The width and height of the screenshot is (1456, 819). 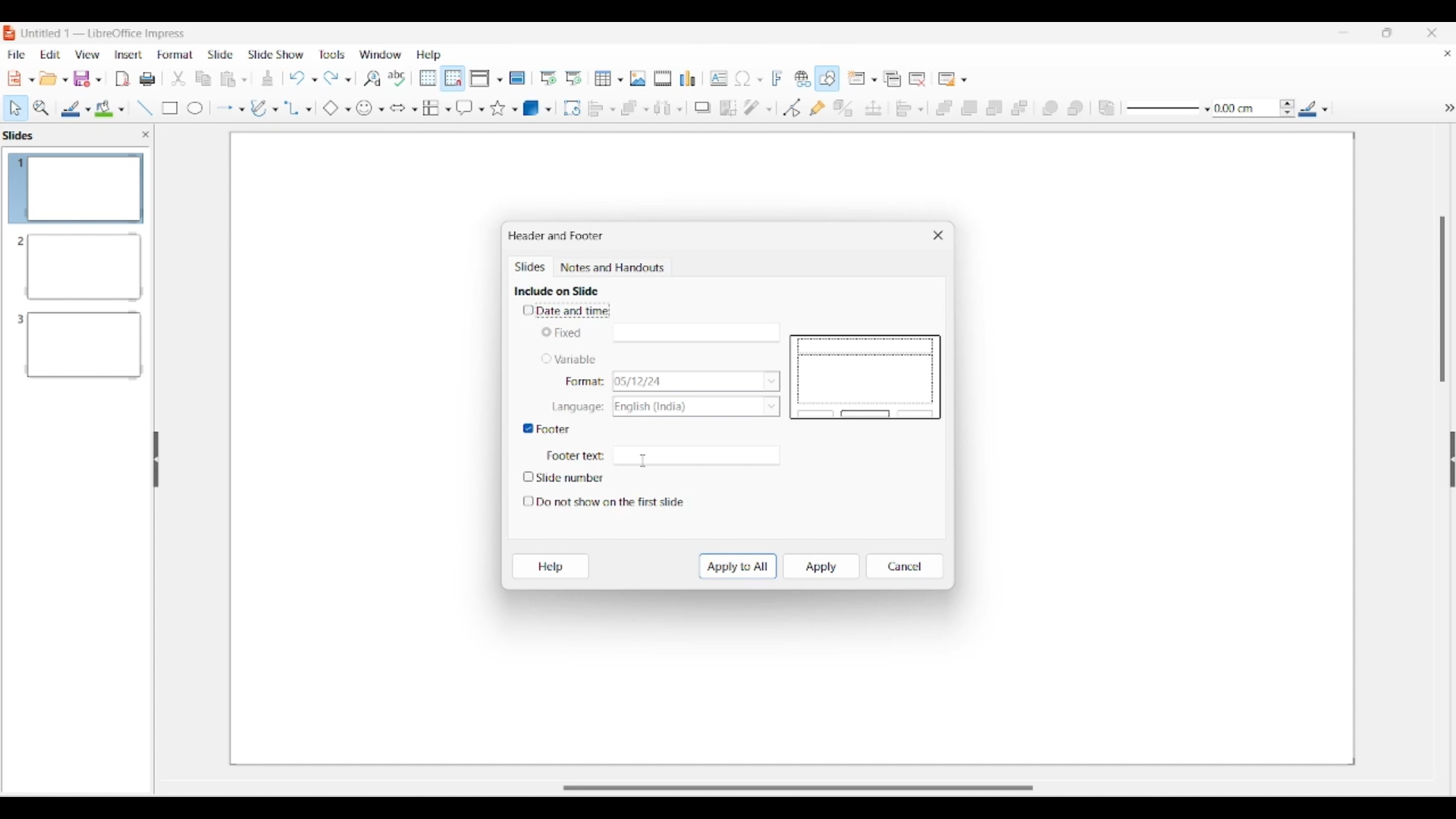 What do you see at coordinates (332, 55) in the screenshot?
I see `Tools menu` at bounding box center [332, 55].